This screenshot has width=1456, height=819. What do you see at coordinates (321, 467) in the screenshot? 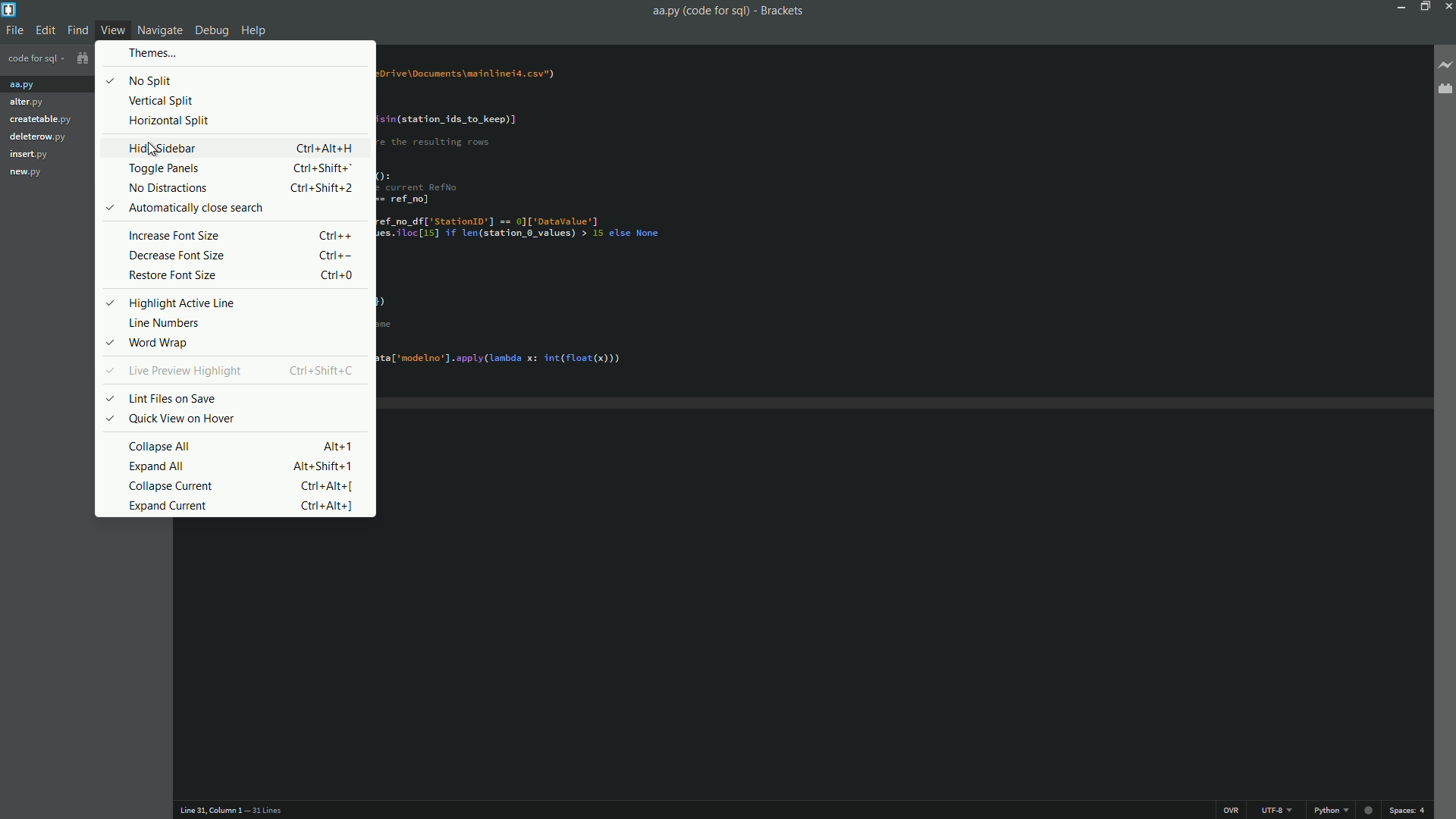
I see `keyboard shortcut` at bounding box center [321, 467].